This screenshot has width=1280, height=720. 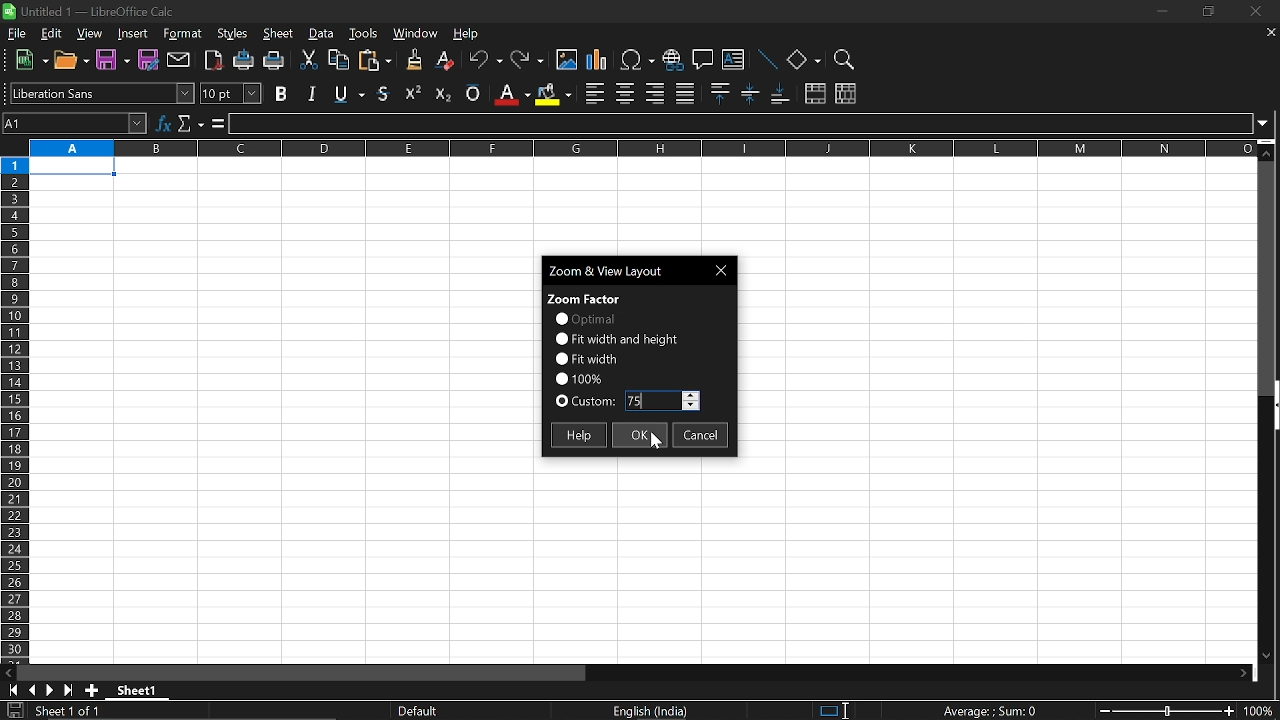 I want to click on align left, so click(x=595, y=94).